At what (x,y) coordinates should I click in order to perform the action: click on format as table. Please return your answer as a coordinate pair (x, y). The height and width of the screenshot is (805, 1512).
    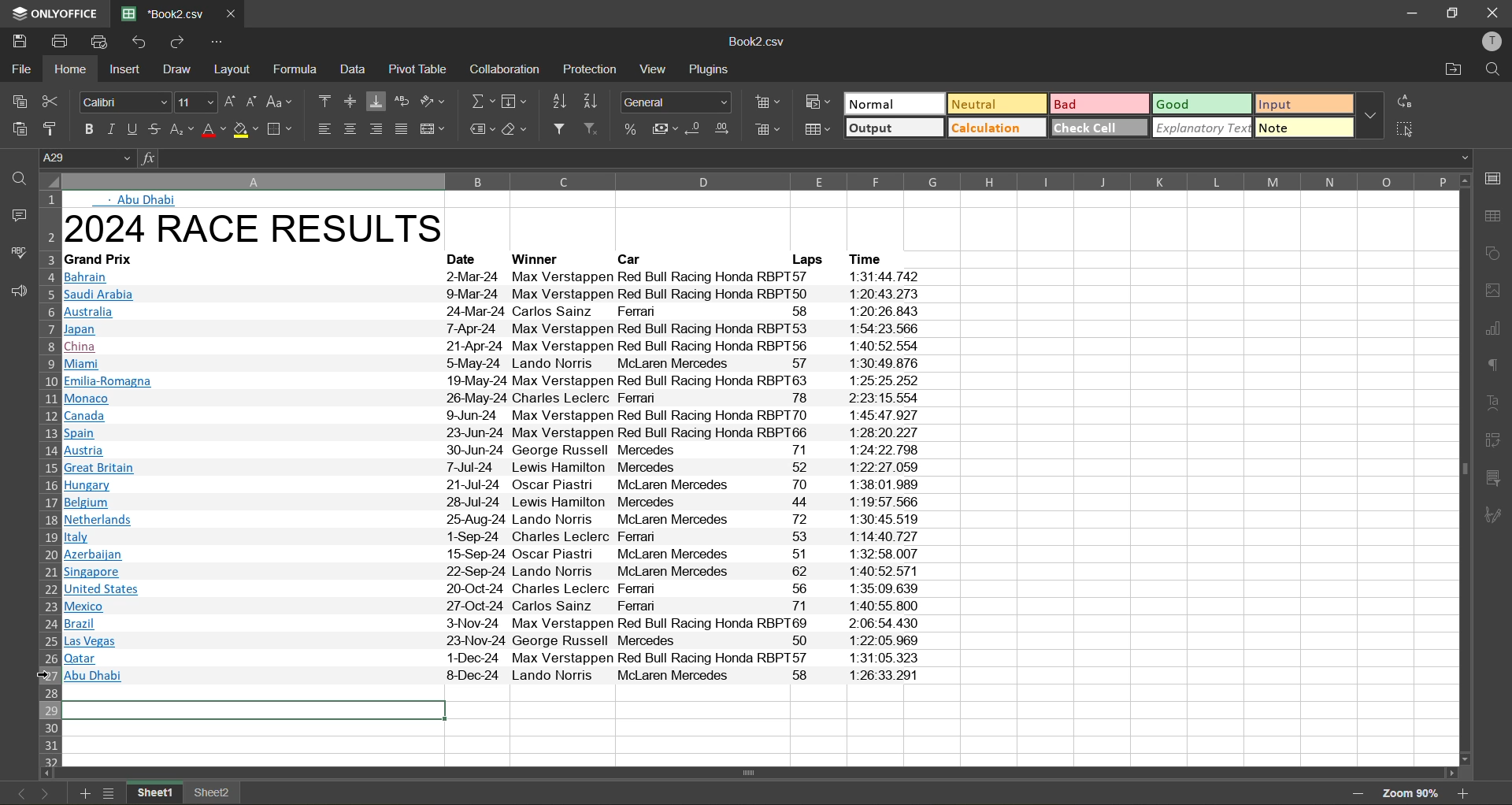
    Looking at the image, I should click on (822, 133).